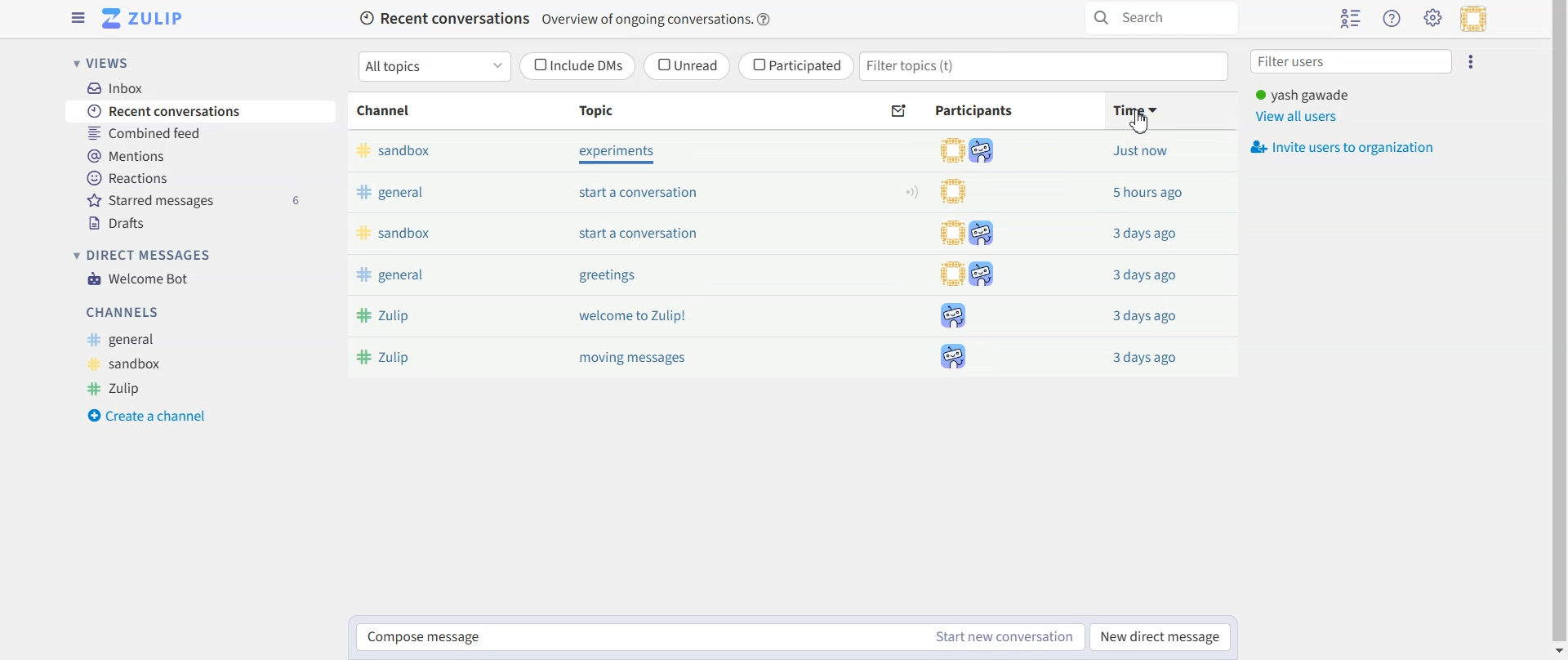  What do you see at coordinates (1137, 151) in the screenshot?
I see `3daysago` at bounding box center [1137, 151].